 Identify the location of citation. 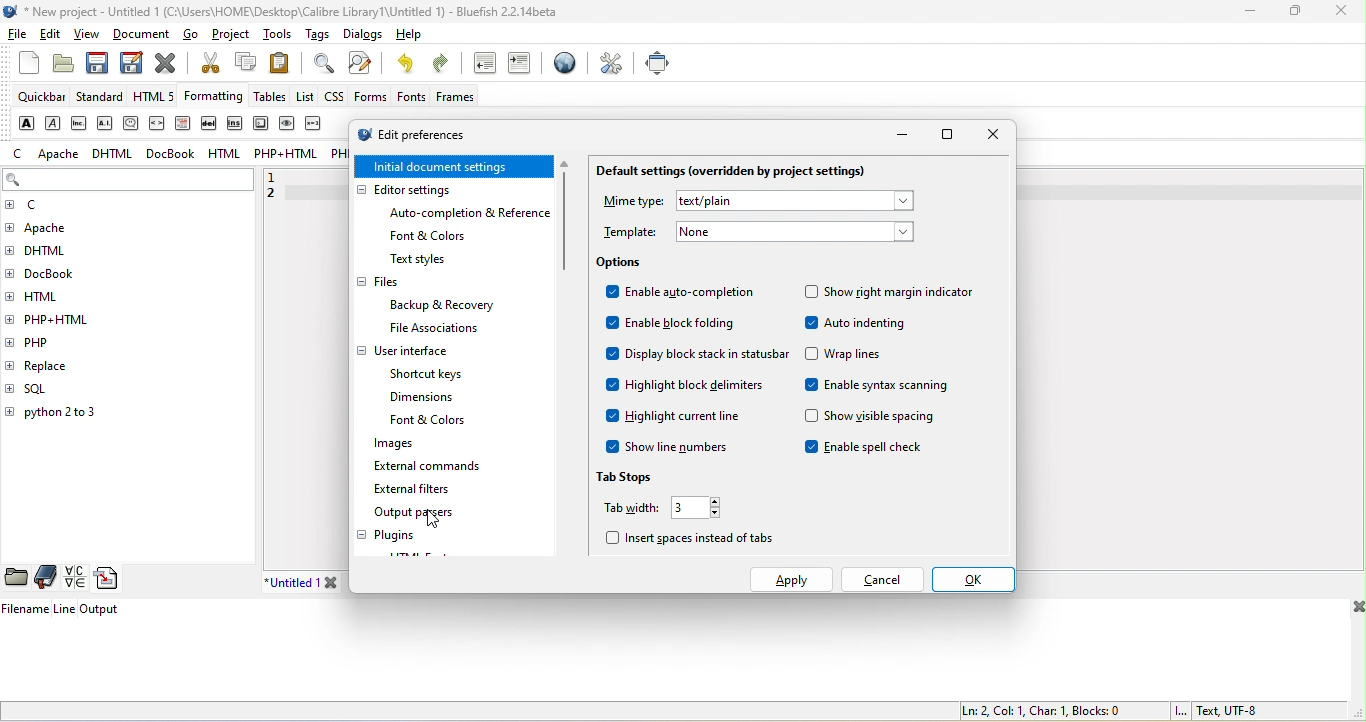
(130, 122).